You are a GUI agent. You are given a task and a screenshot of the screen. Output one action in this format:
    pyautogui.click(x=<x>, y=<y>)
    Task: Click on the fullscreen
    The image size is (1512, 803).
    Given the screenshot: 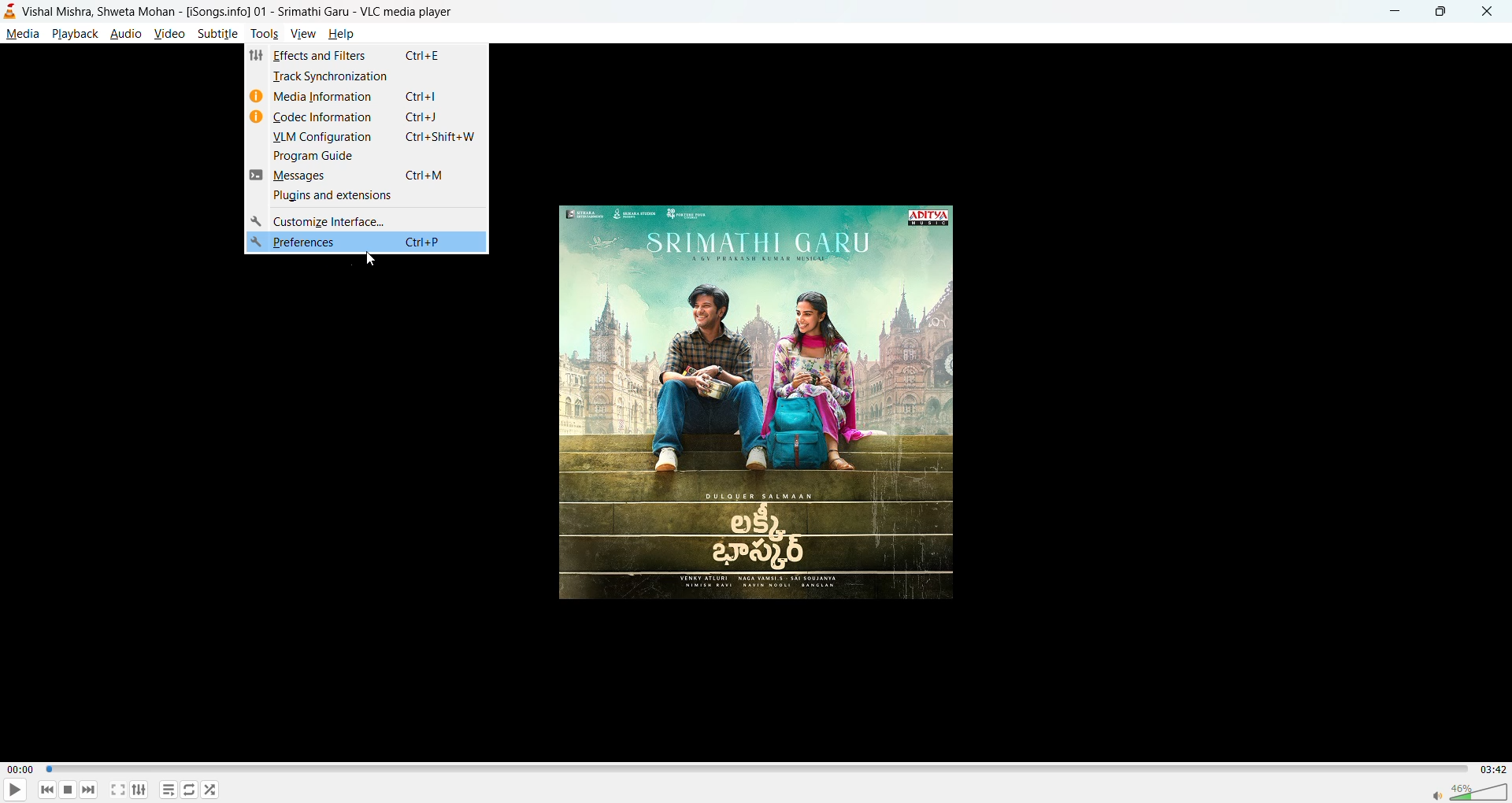 What is the action you would take?
    pyautogui.click(x=118, y=790)
    